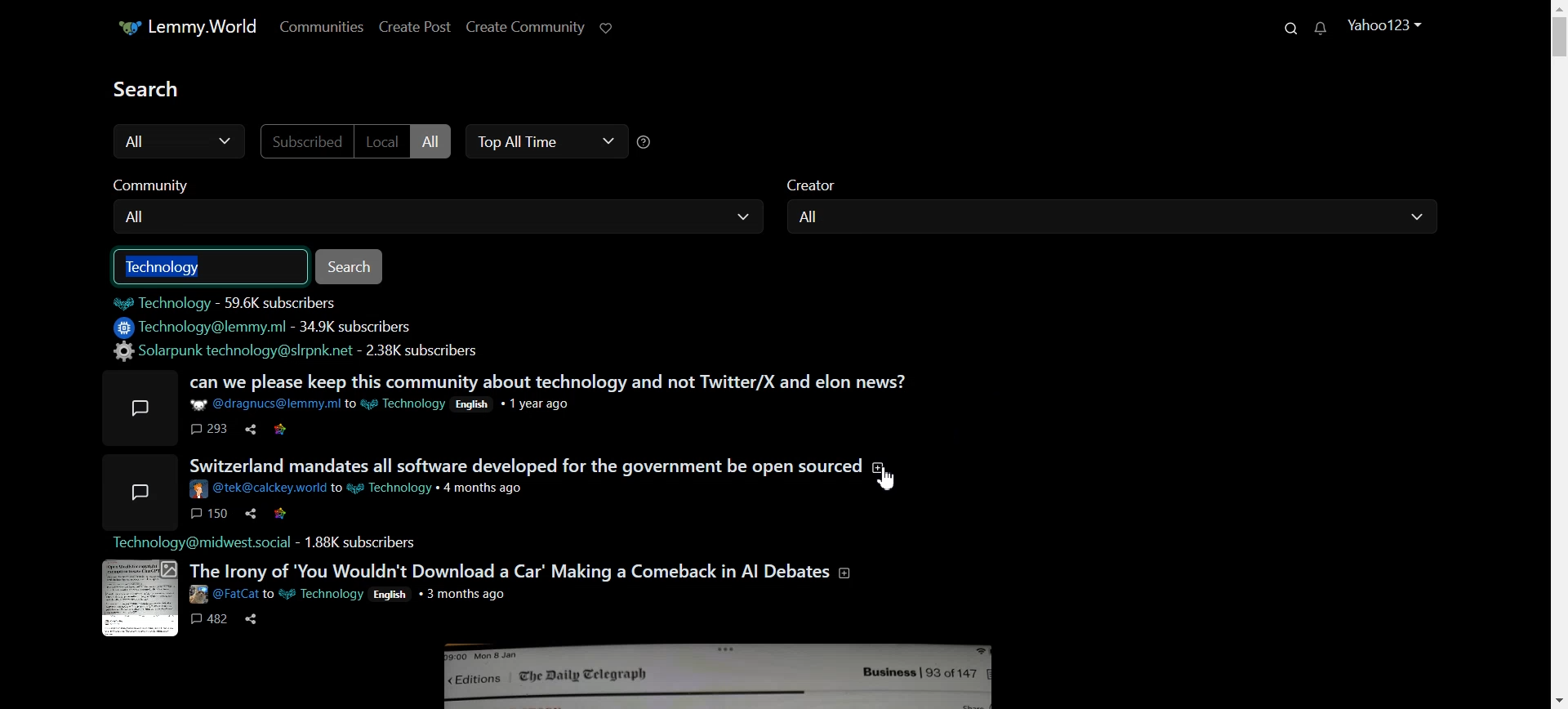 The height and width of the screenshot is (709, 1568). I want to click on Search, so click(359, 266).